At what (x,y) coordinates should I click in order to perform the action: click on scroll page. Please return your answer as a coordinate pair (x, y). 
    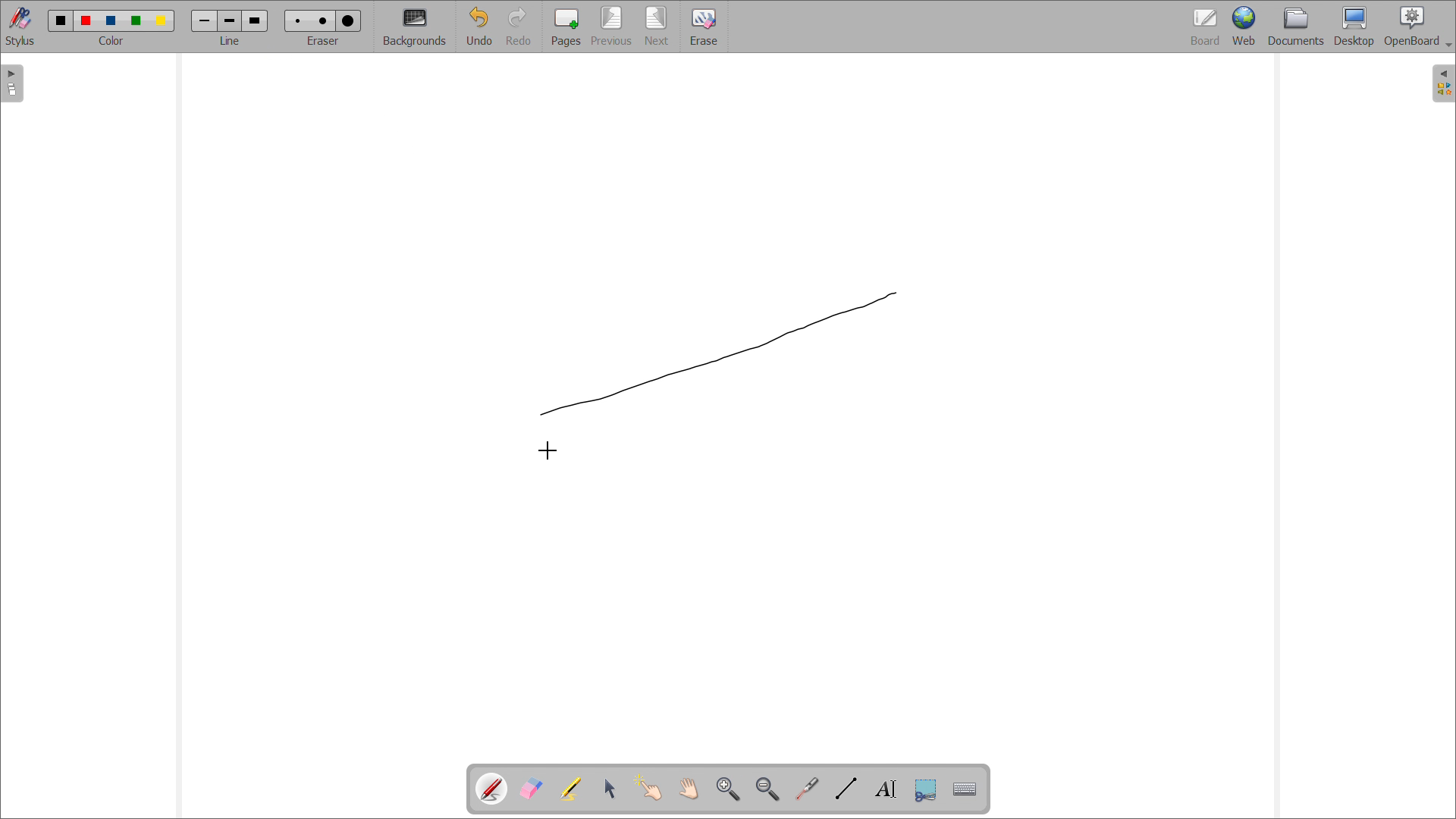
    Looking at the image, I should click on (689, 788).